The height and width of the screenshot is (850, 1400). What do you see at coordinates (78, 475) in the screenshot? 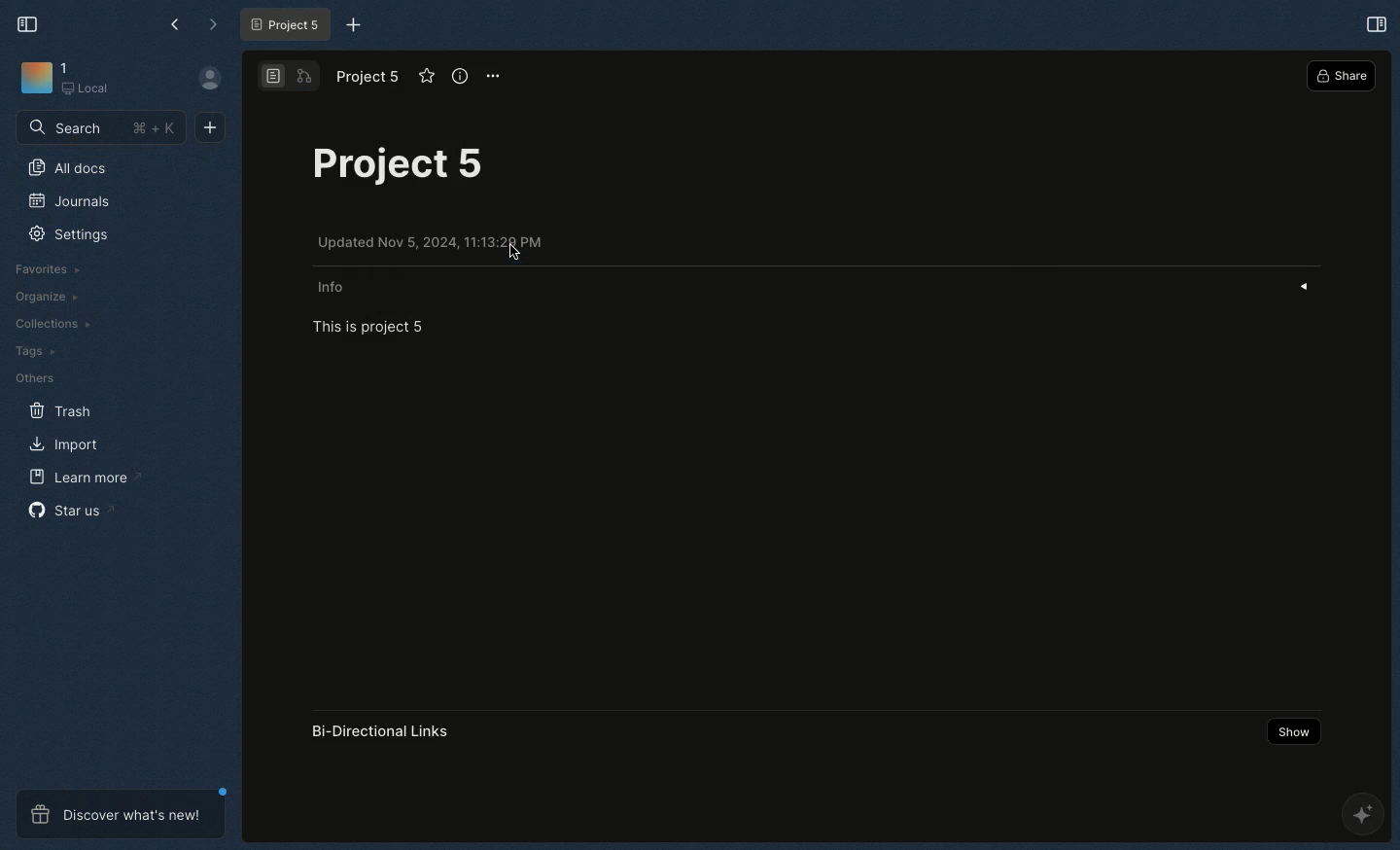
I see `Learn more` at bounding box center [78, 475].